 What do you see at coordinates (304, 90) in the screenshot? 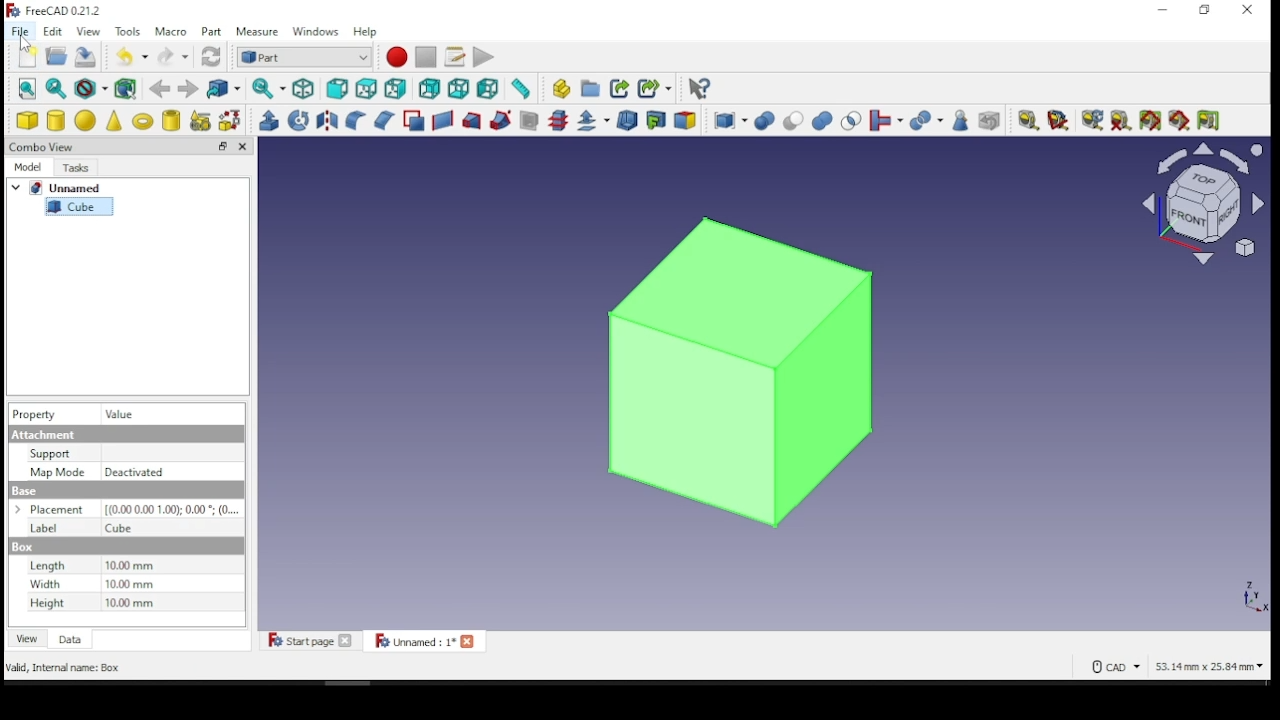
I see `isometric` at bounding box center [304, 90].